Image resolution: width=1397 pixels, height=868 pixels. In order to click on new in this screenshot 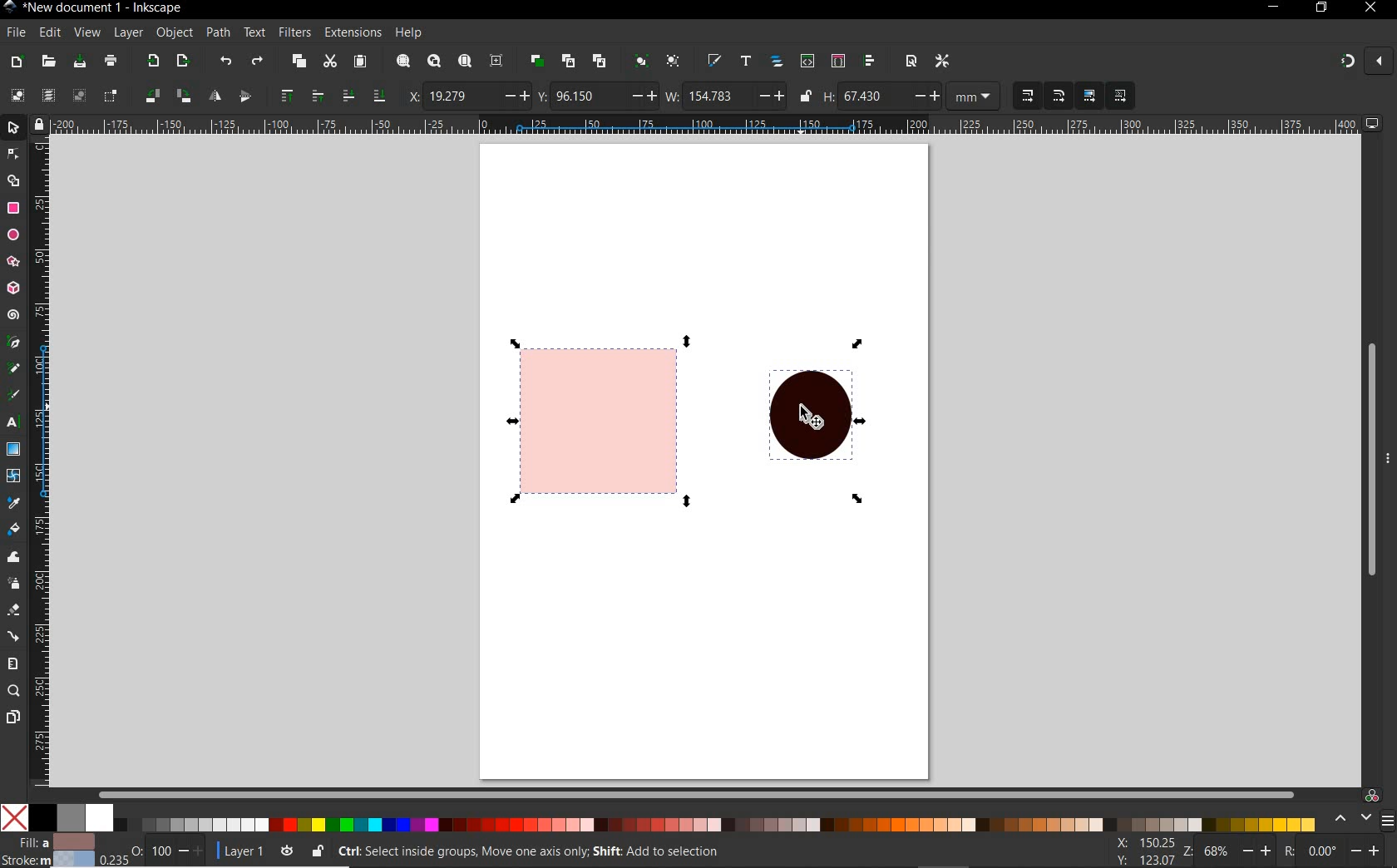, I will do `click(17, 63)`.